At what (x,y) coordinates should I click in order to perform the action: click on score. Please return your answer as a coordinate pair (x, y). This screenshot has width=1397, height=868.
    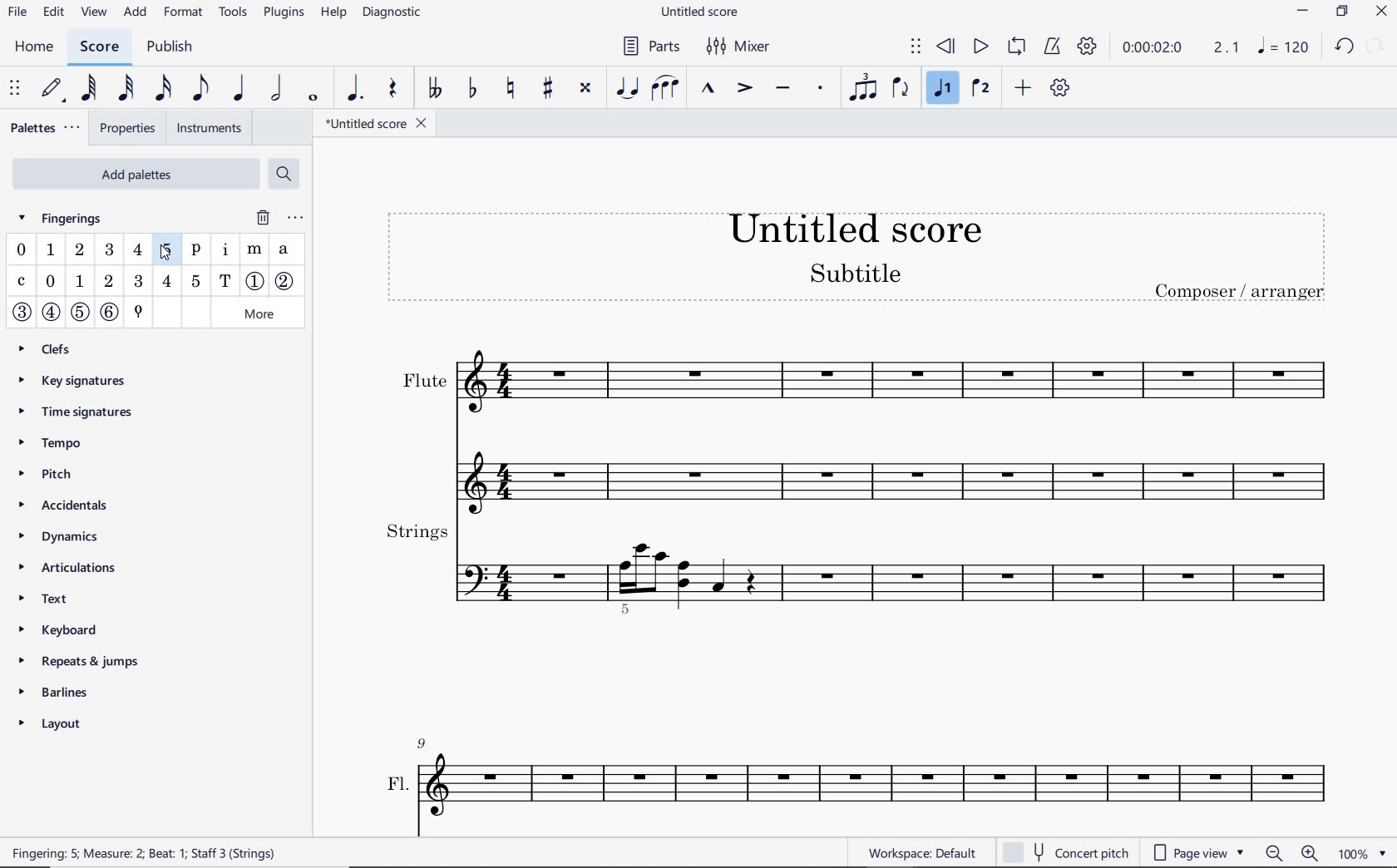
    Looking at the image, I should click on (97, 47).